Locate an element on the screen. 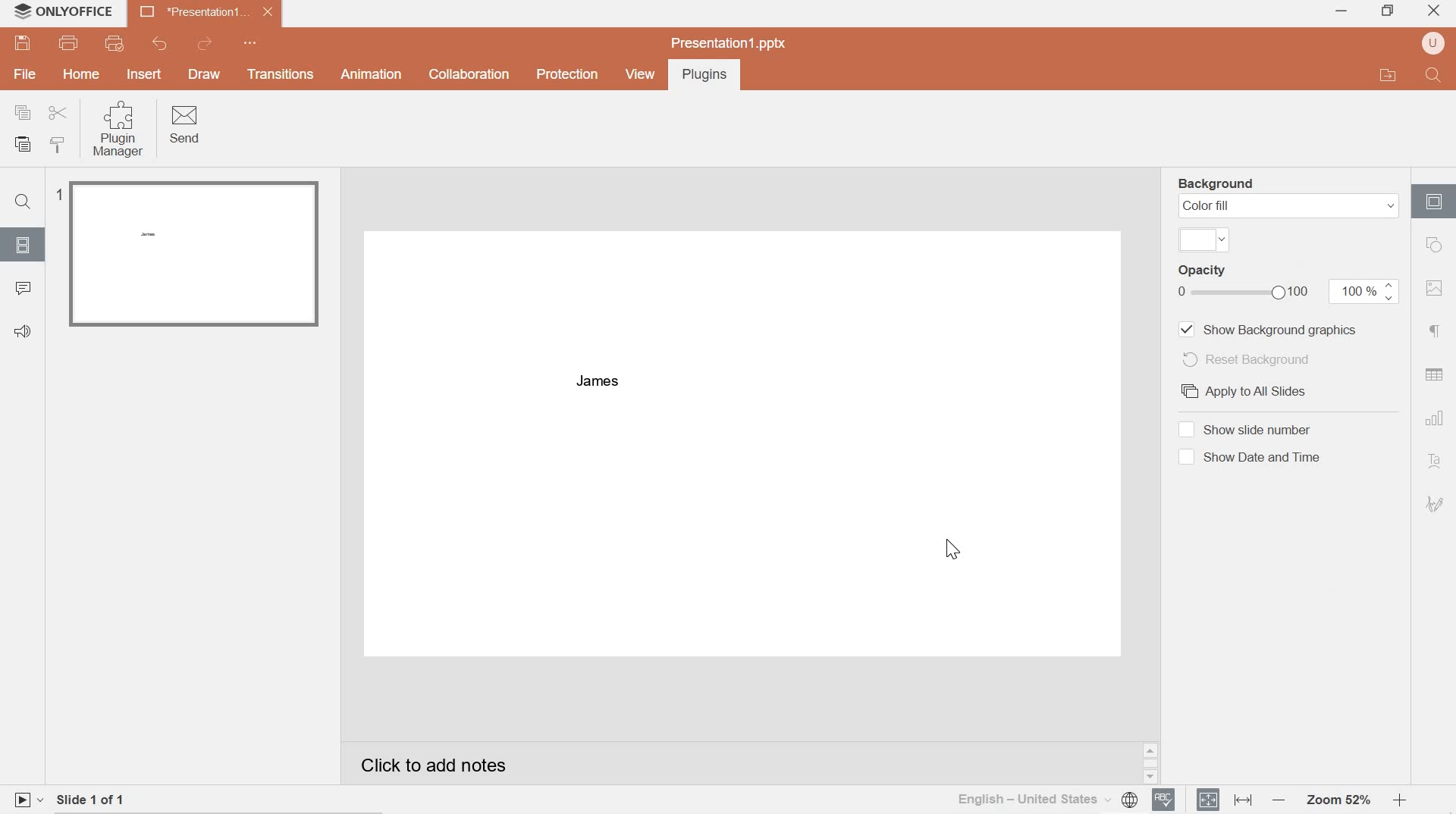 Image resolution: width=1456 pixels, height=814 pixels. Opacity is located at coordinates (1244, 281).